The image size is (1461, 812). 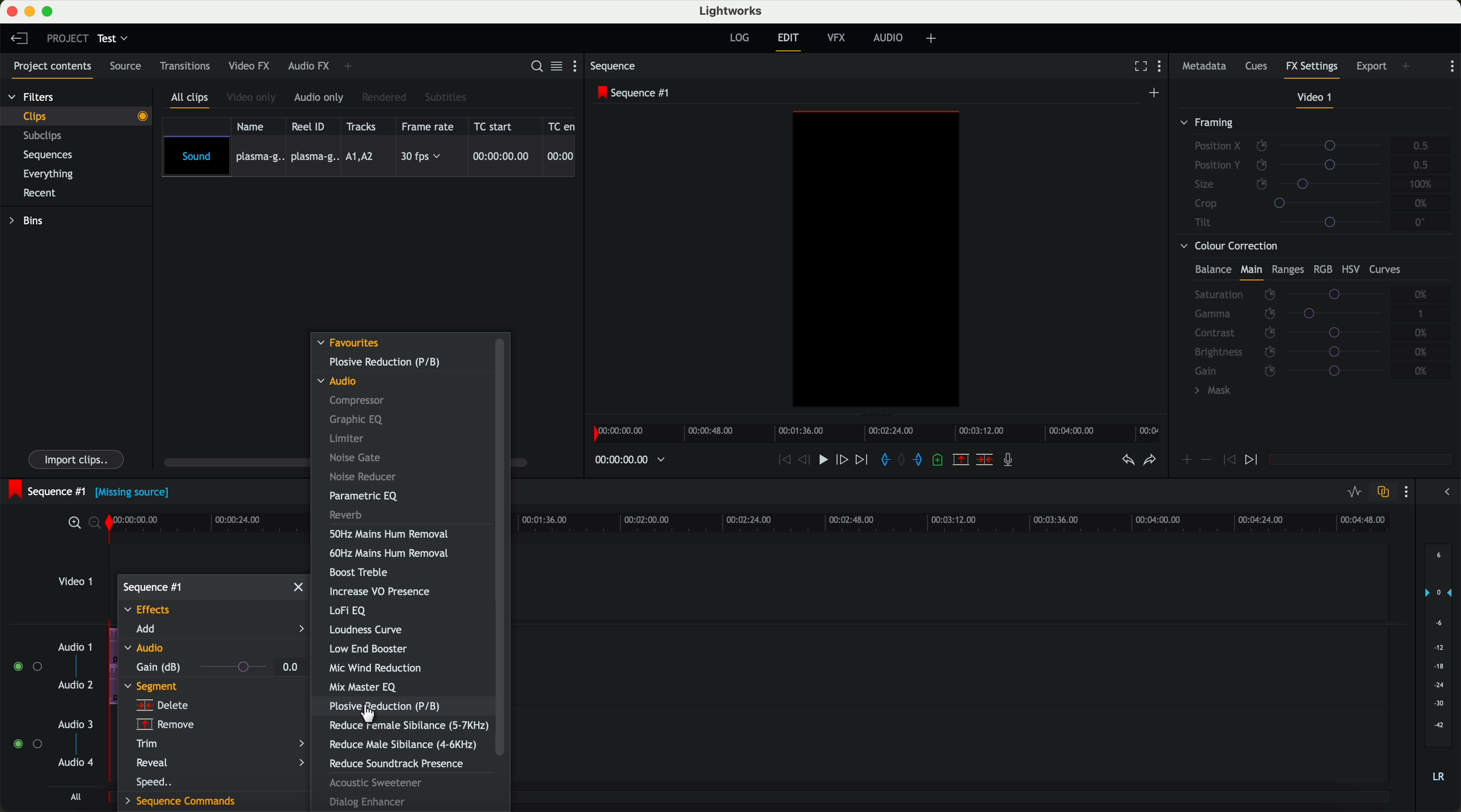 I want to click on import clips, so click(x=78, y=458).